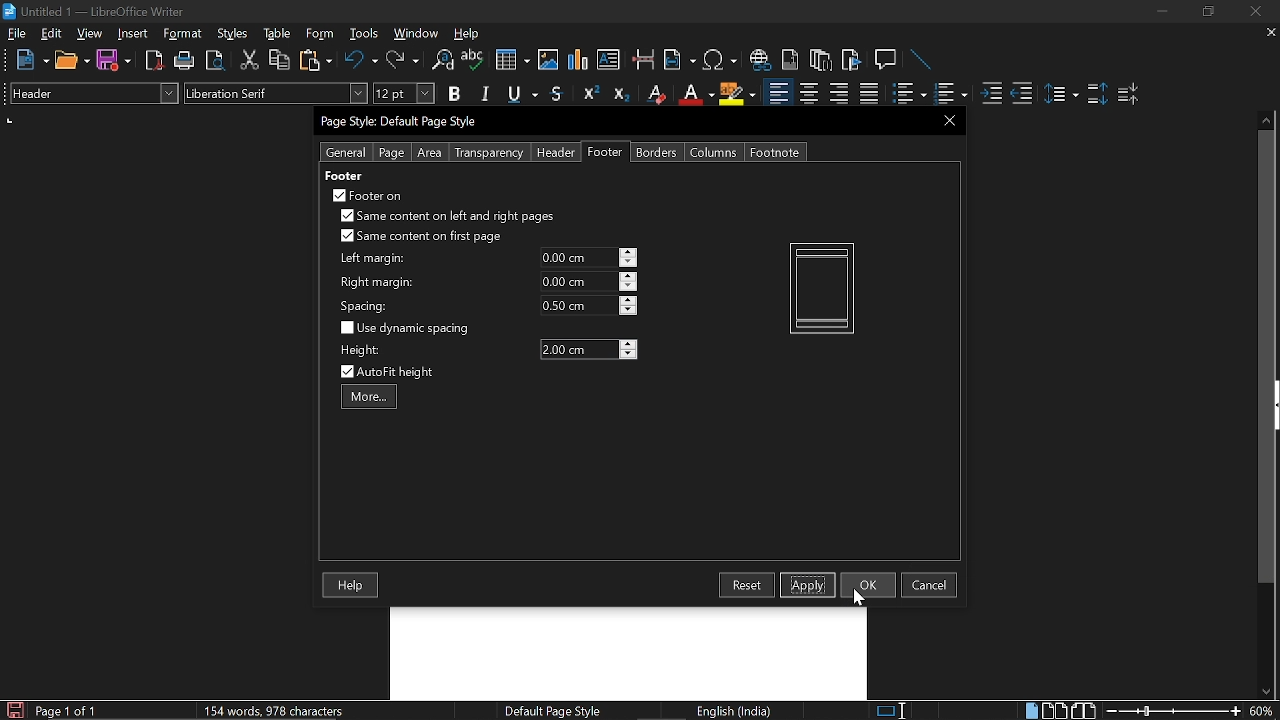 The height and width of the screenshot is (720, 1280). What do you see at coordinates (738, 93) in the screenshot?
I see `Highlight` at bounding box center [738, 93].